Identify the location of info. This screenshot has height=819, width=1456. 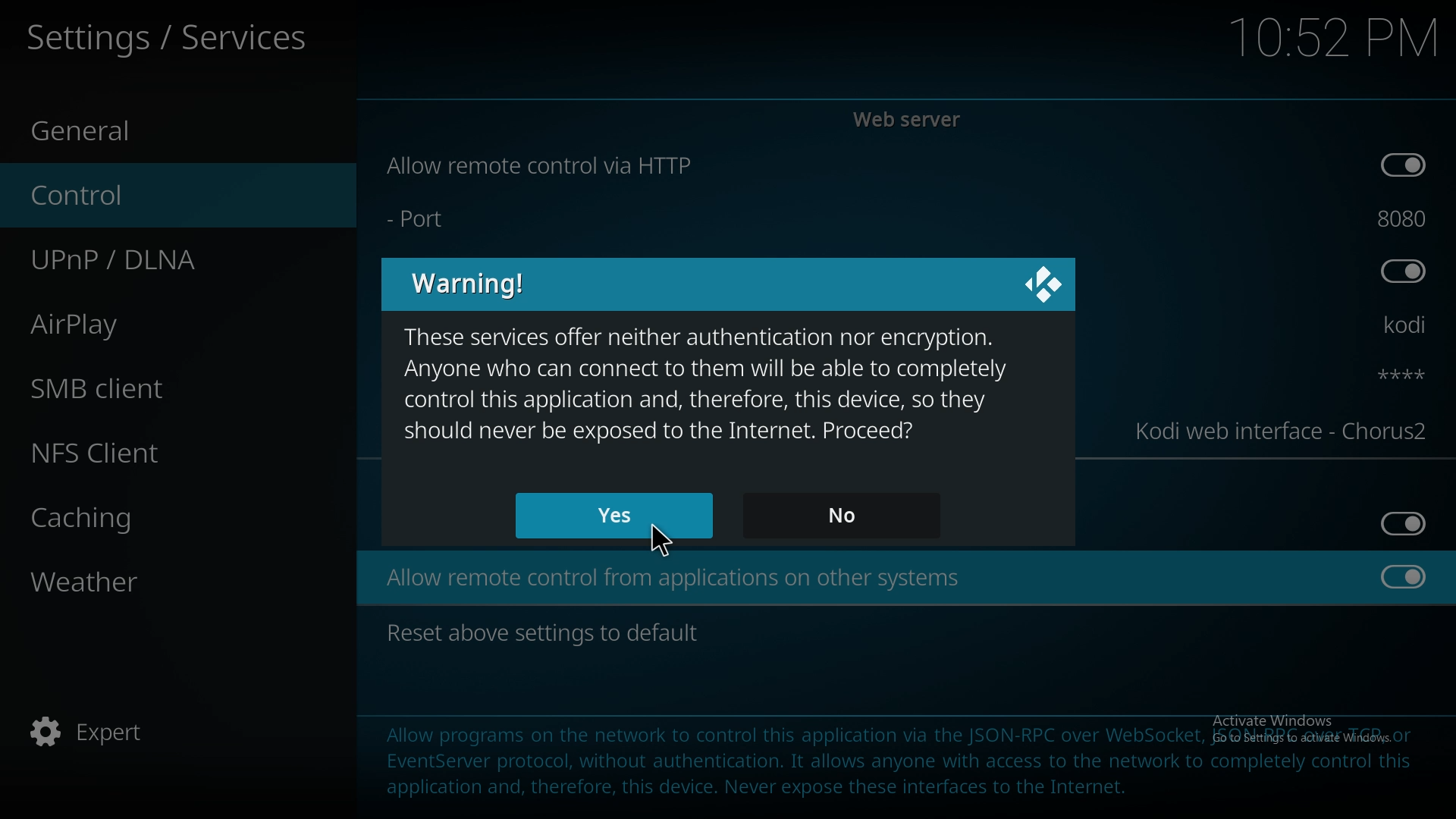
(896, 758).